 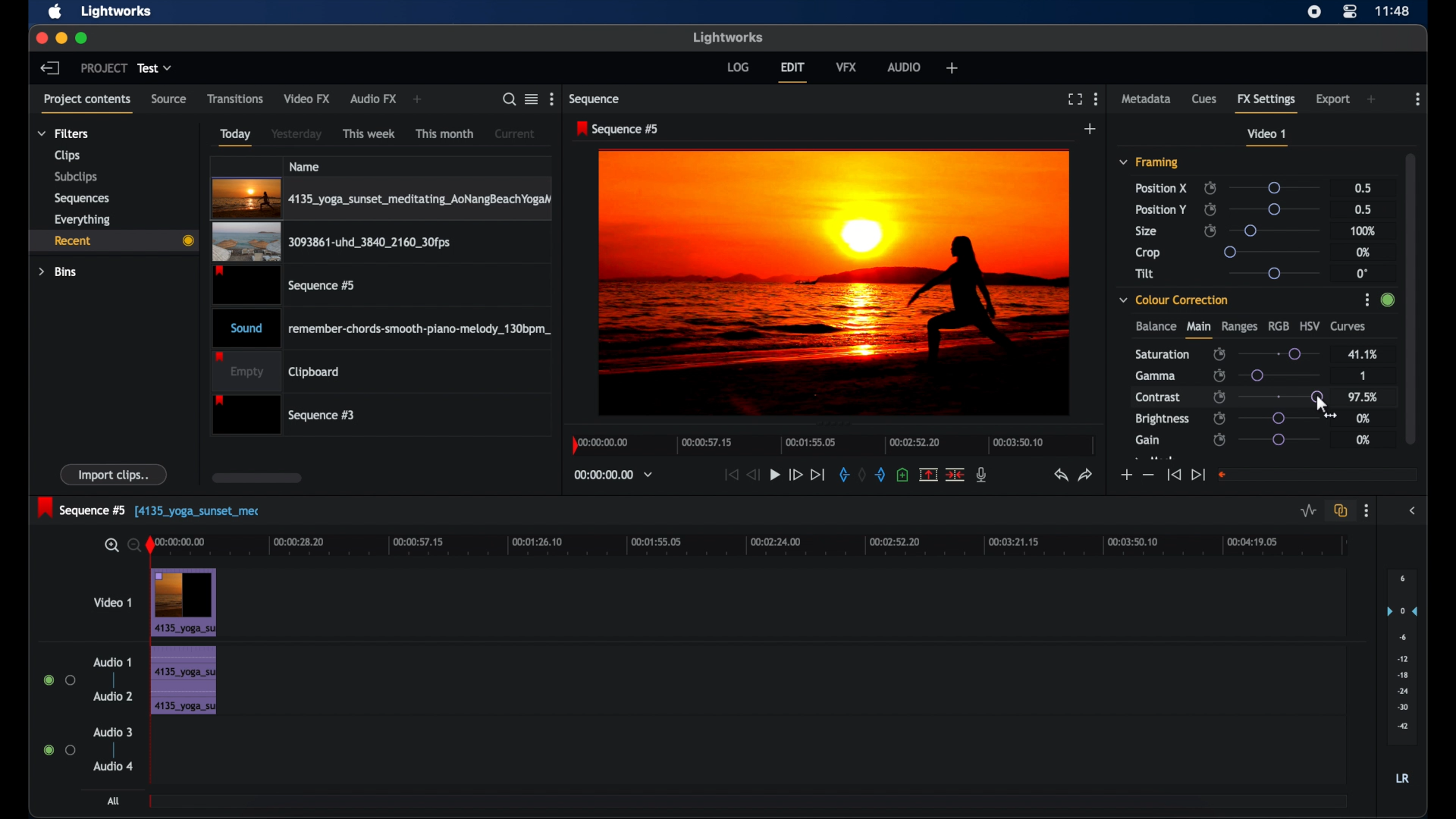 I want to click on rgb, so click(x=1279, y=325).